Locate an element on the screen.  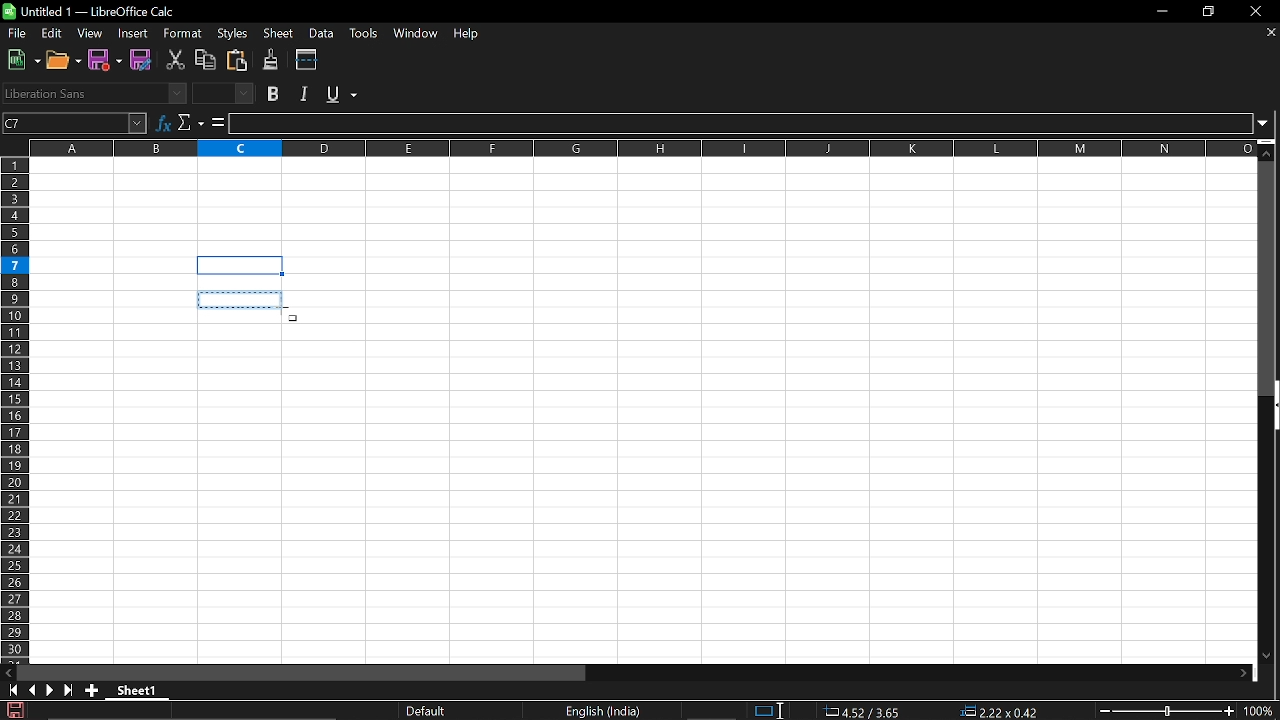
Styles is located at coordinates (235, 32).